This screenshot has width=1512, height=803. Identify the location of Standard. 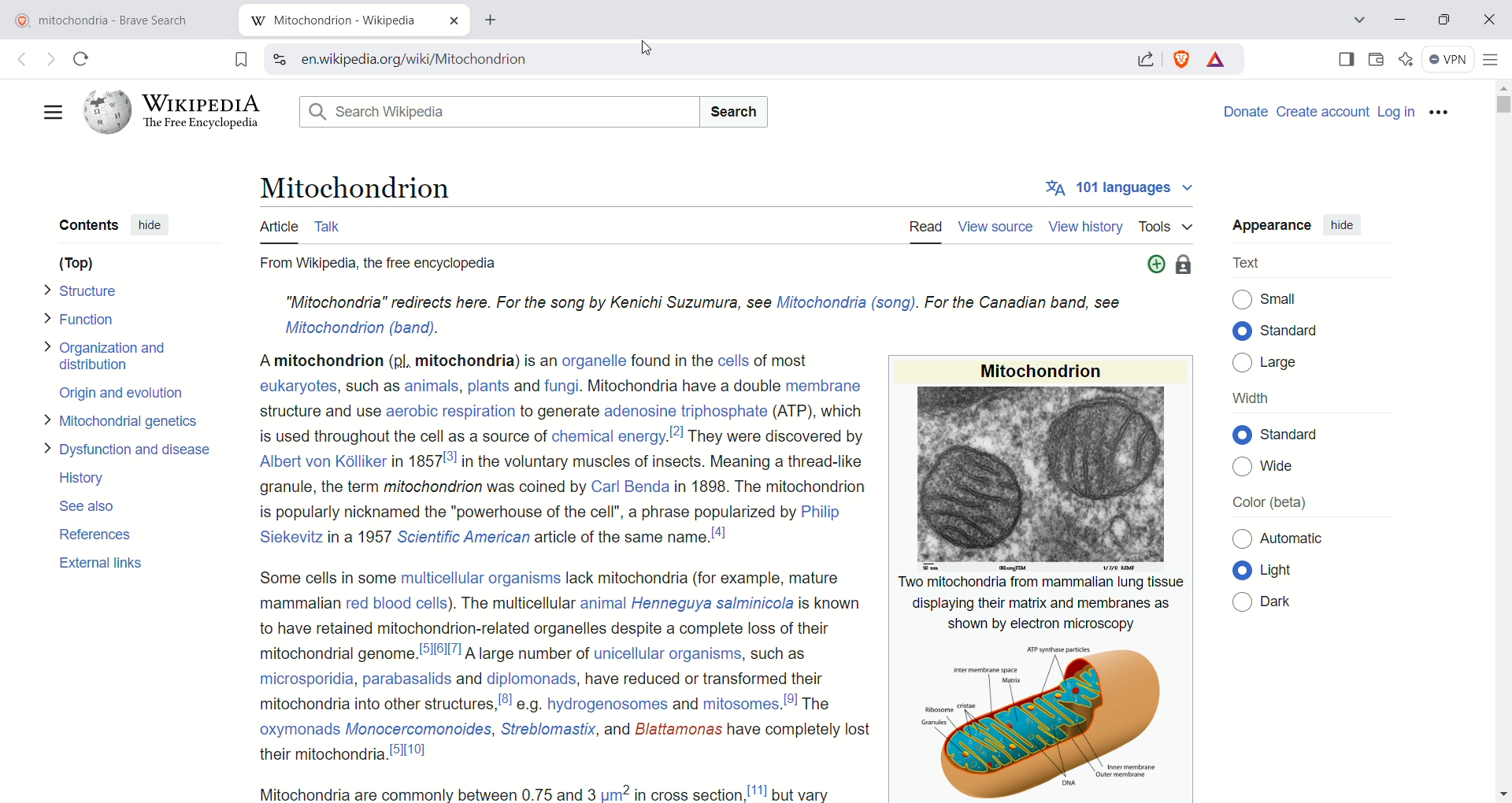
(1302, 435).